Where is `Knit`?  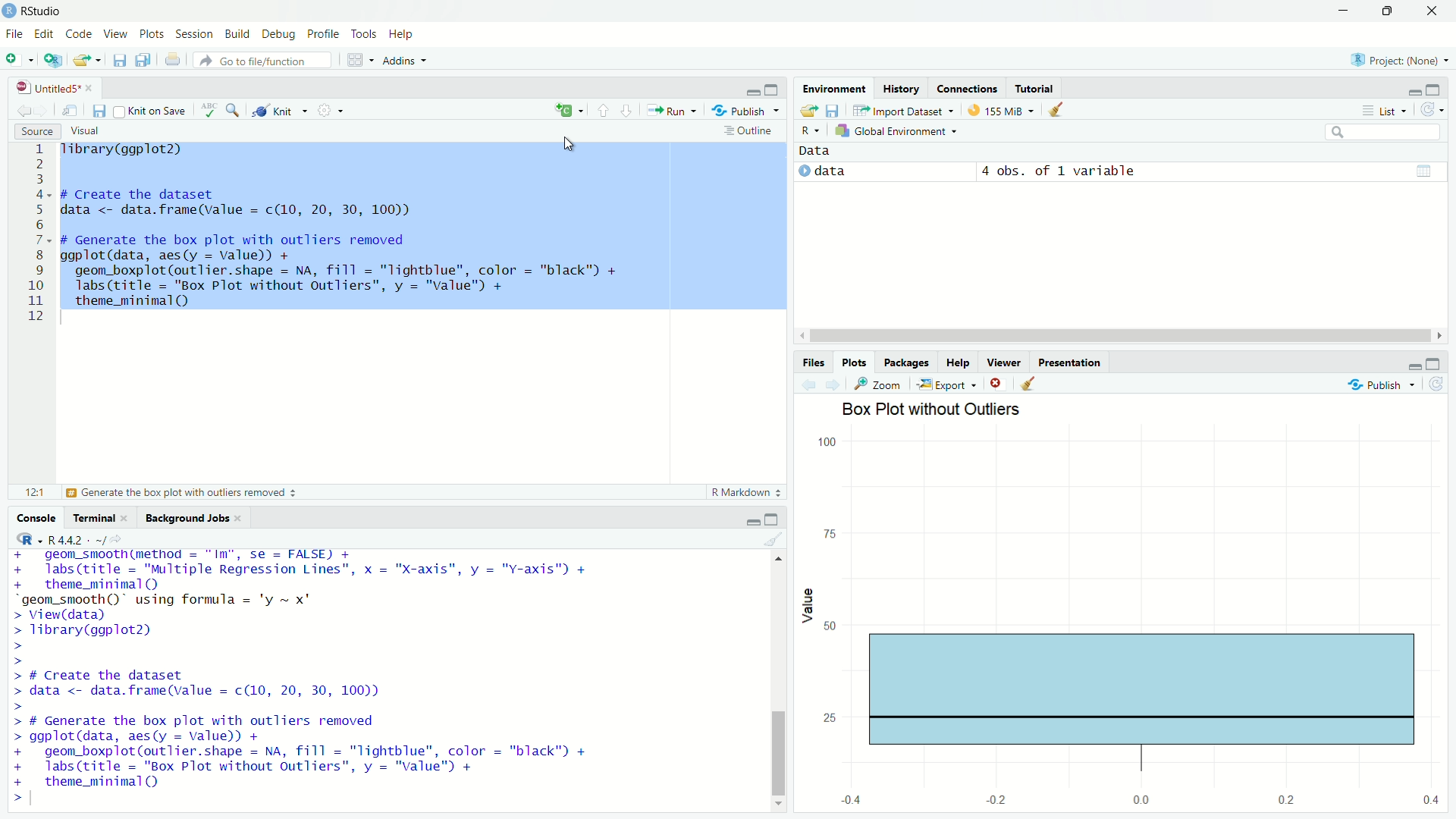 Knit is located at coordinates (273, 112).